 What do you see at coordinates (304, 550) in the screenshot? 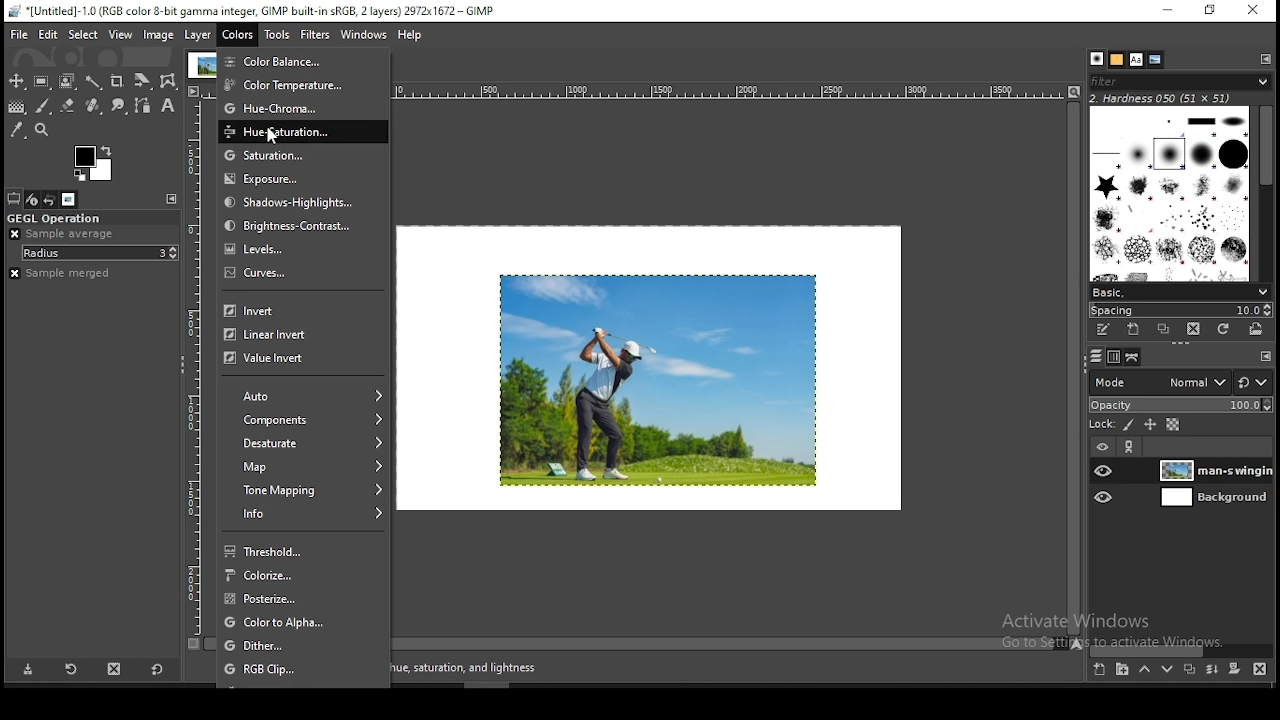
I see `threshold` at bounding box center [304, 550].